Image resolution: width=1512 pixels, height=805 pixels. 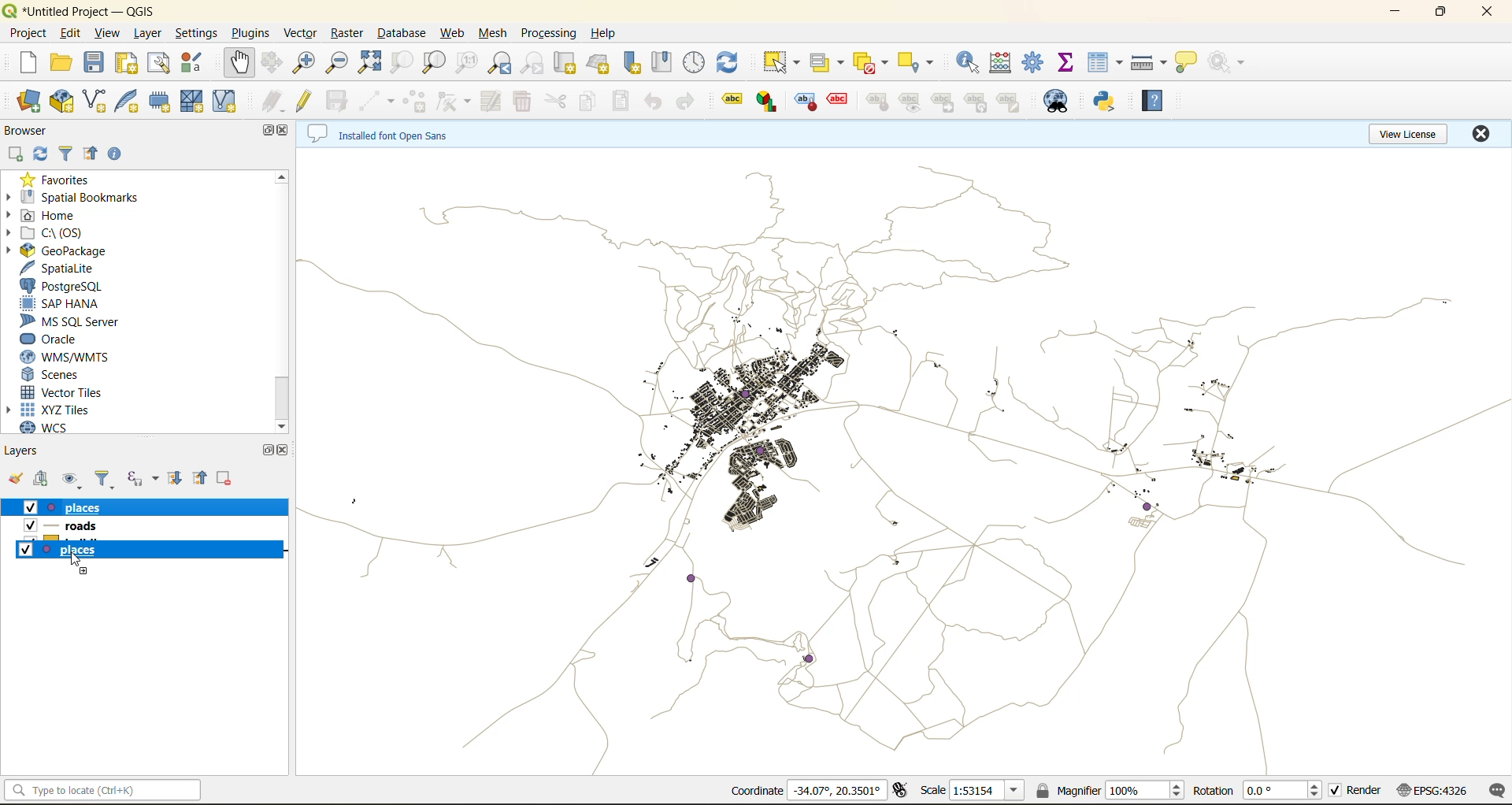 I want to click on remove, so click(x=224, y=479).